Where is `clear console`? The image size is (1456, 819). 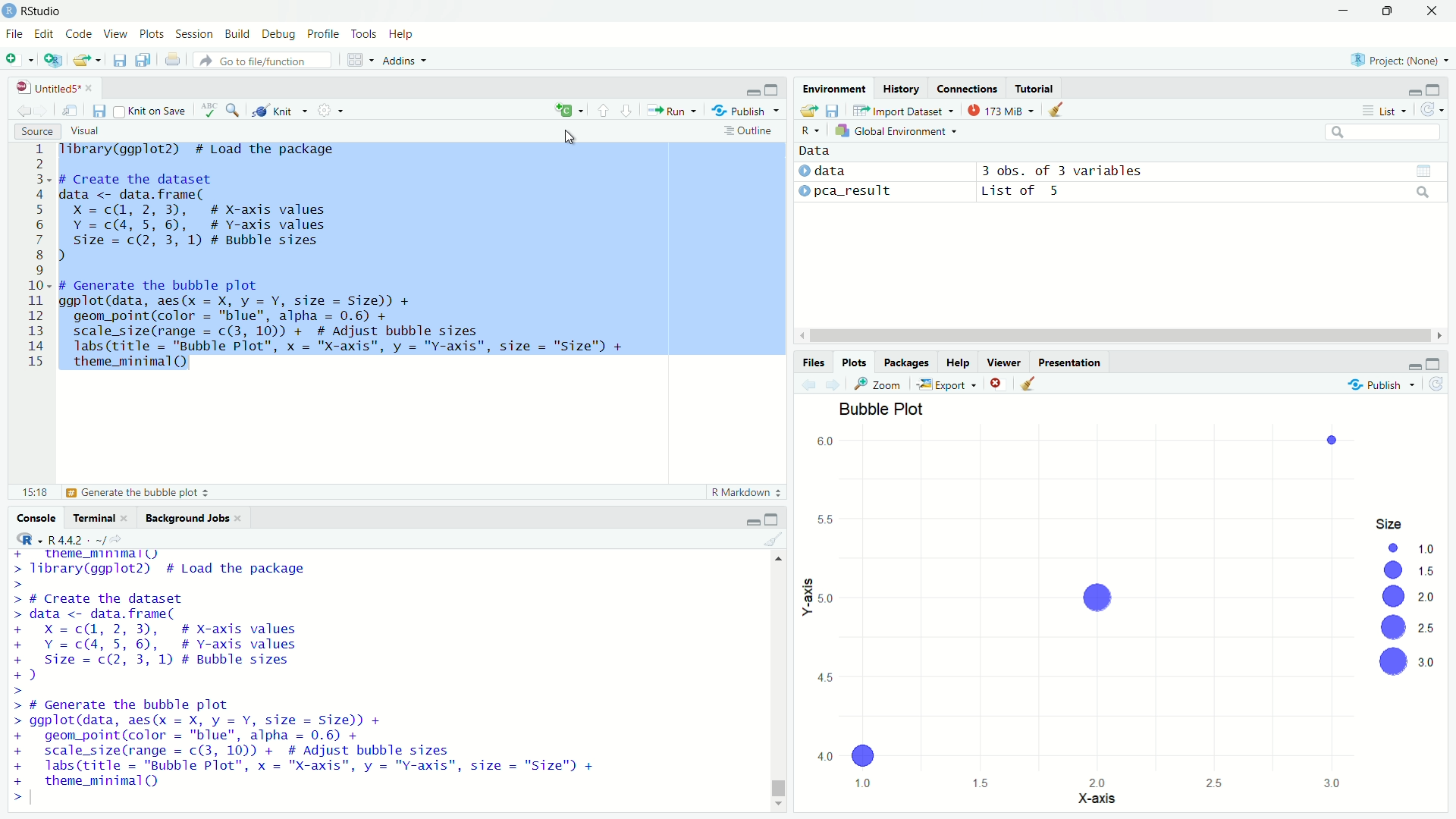 clear console is located at coordinates (775, 538).